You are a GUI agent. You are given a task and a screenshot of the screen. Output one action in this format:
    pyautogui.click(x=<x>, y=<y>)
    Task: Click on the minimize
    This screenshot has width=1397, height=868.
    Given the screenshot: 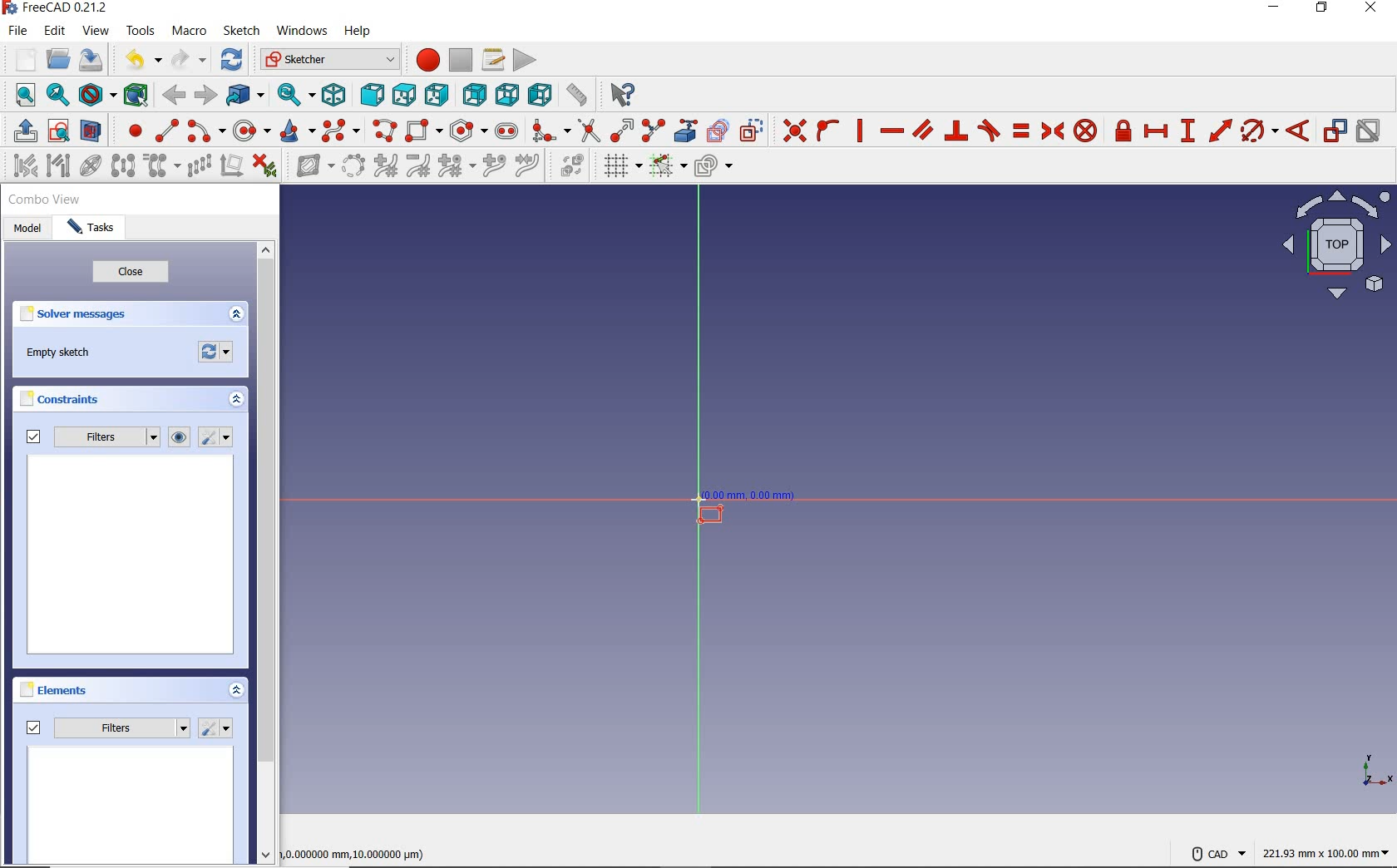 What is the action you would take?
    pyautogui.click(x=1275, y=9)
    